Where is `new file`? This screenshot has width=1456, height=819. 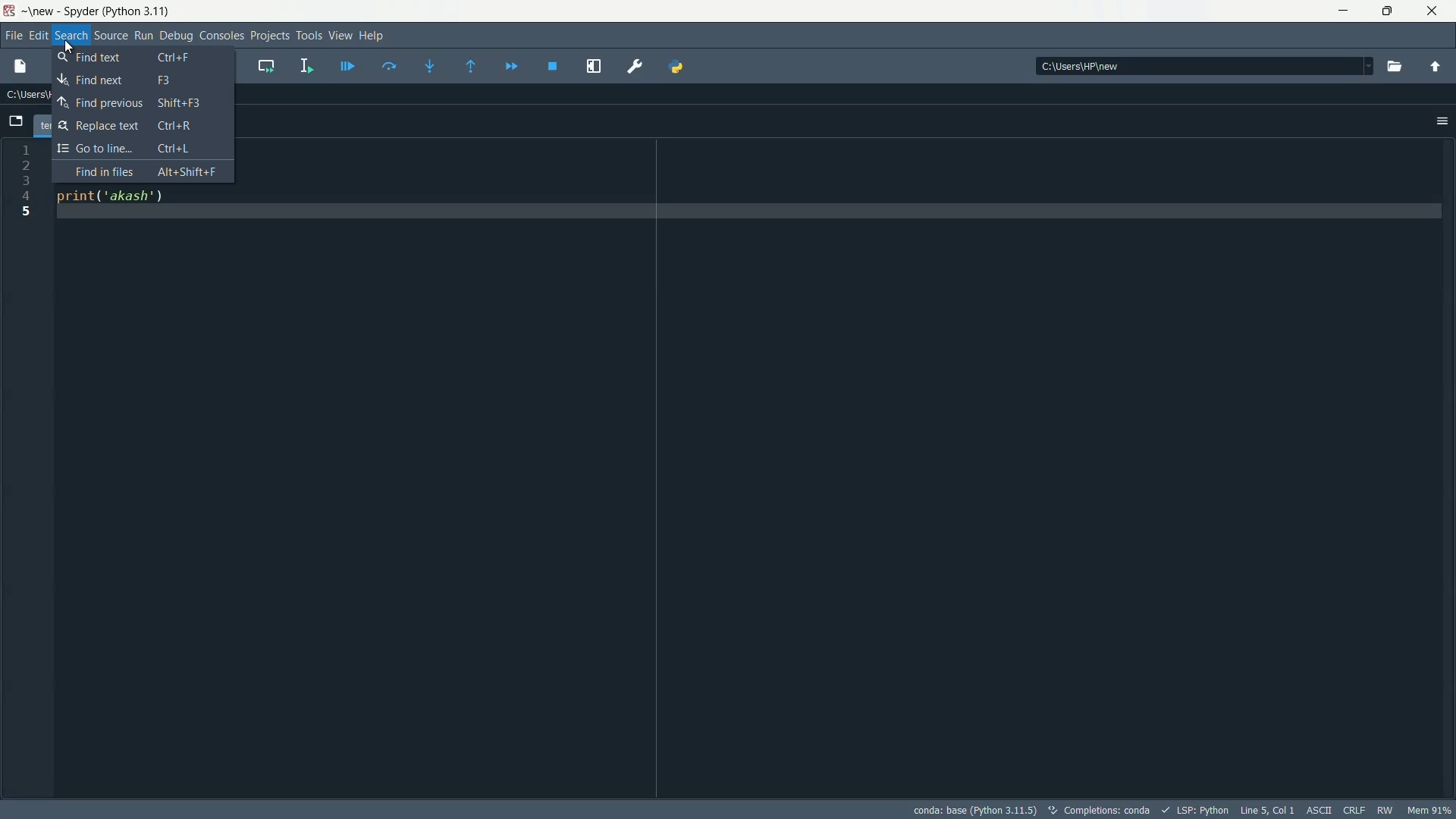
new file is located at coordinates (21, 67).